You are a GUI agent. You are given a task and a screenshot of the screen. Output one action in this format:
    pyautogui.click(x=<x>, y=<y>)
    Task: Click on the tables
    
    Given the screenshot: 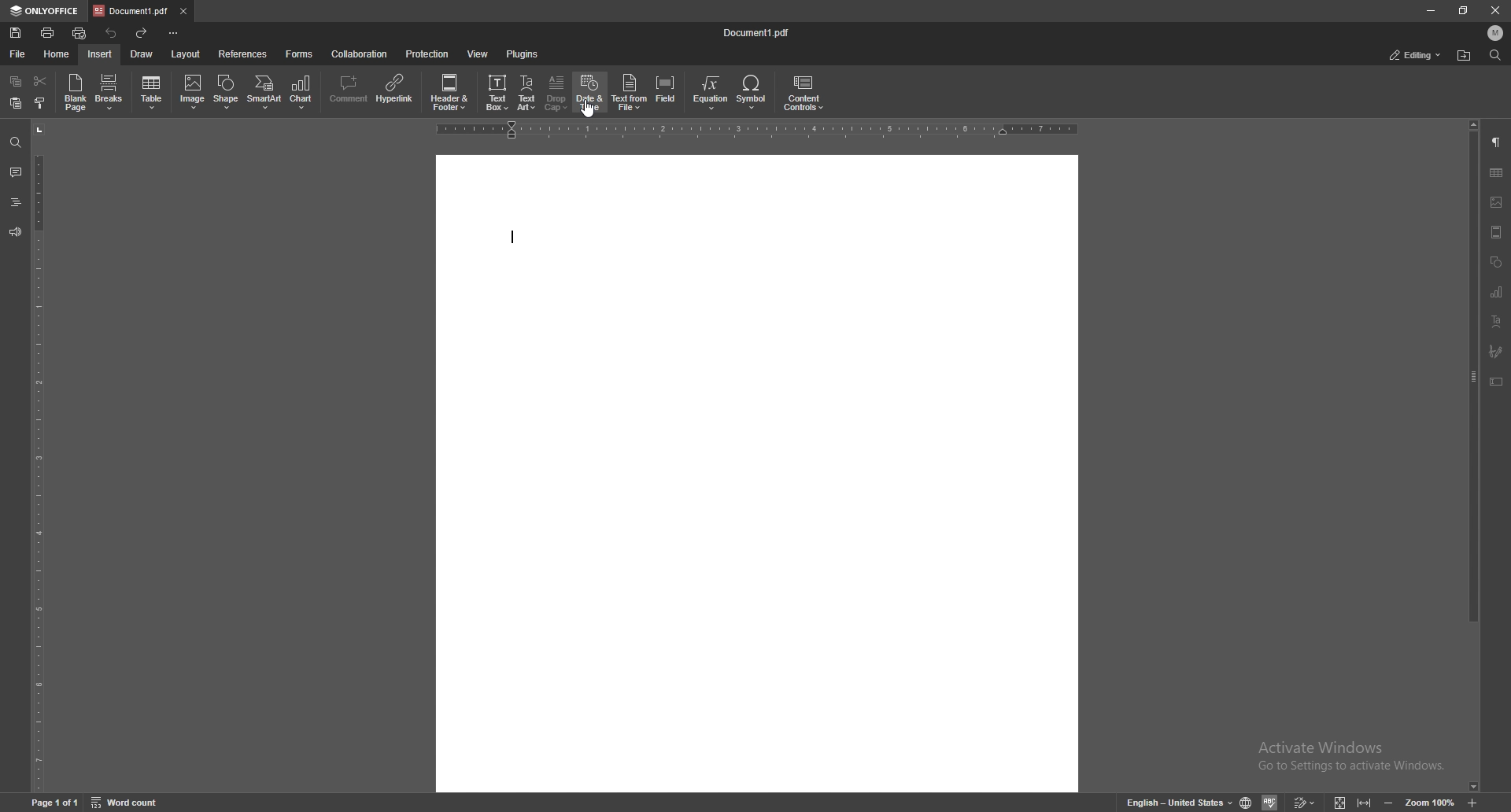 What is the action you would take?
    pyautogui.click(x=1496, y=172)
    